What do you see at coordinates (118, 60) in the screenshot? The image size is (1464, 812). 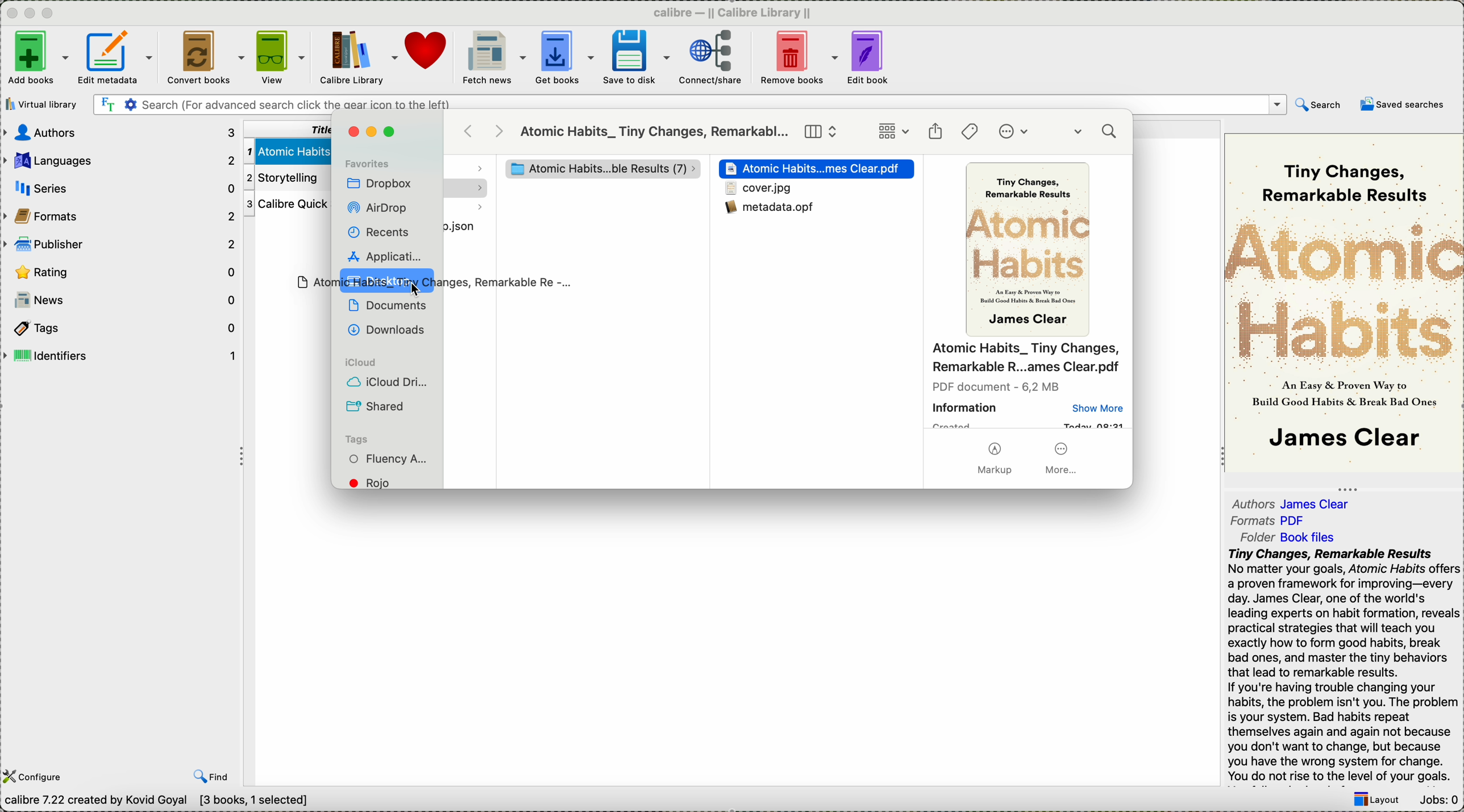 I see `edit metadata` at bounding box center [118, 60].